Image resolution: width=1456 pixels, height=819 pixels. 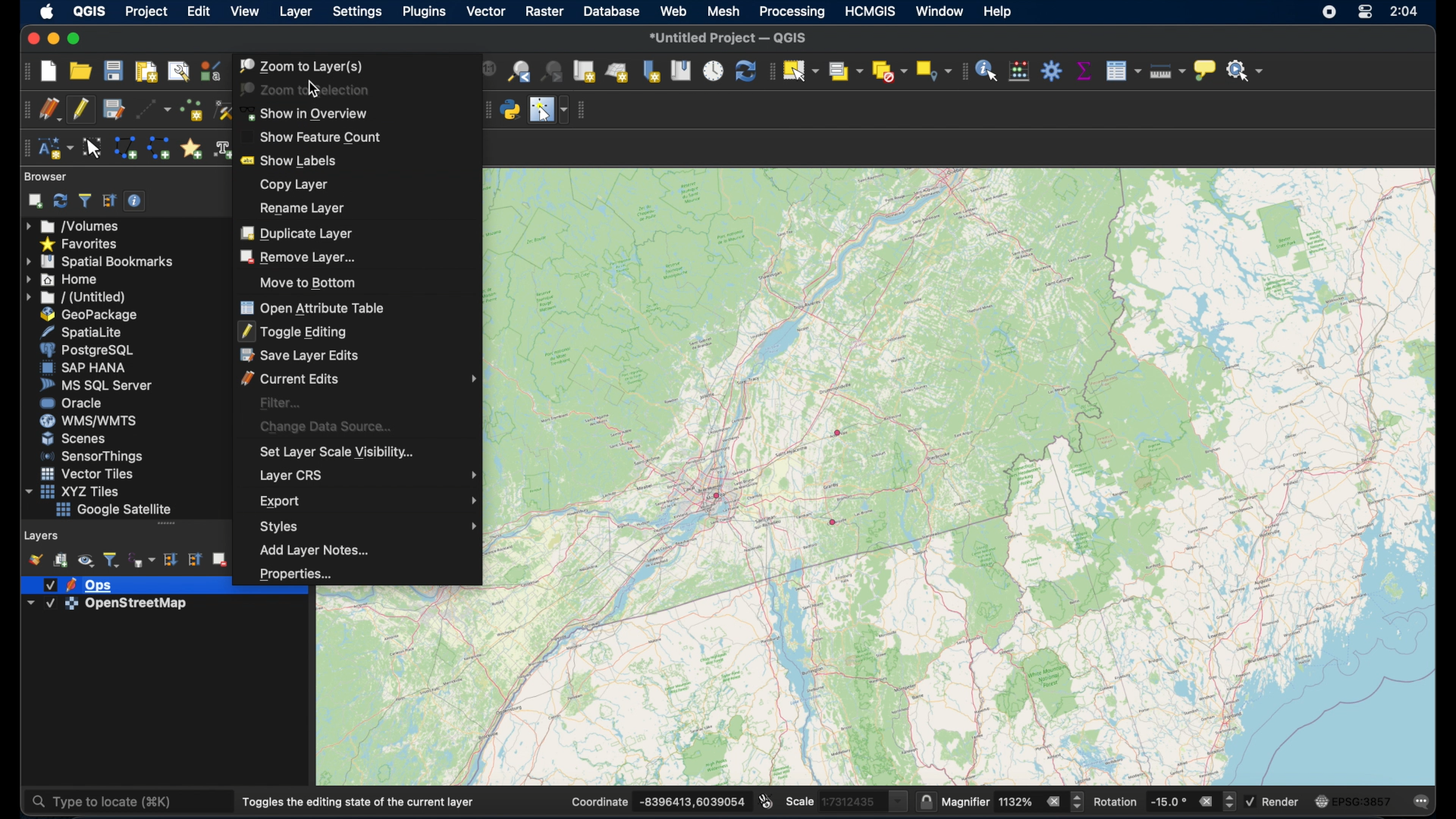 I want to click on rotation, so click(x=1166, y=802).